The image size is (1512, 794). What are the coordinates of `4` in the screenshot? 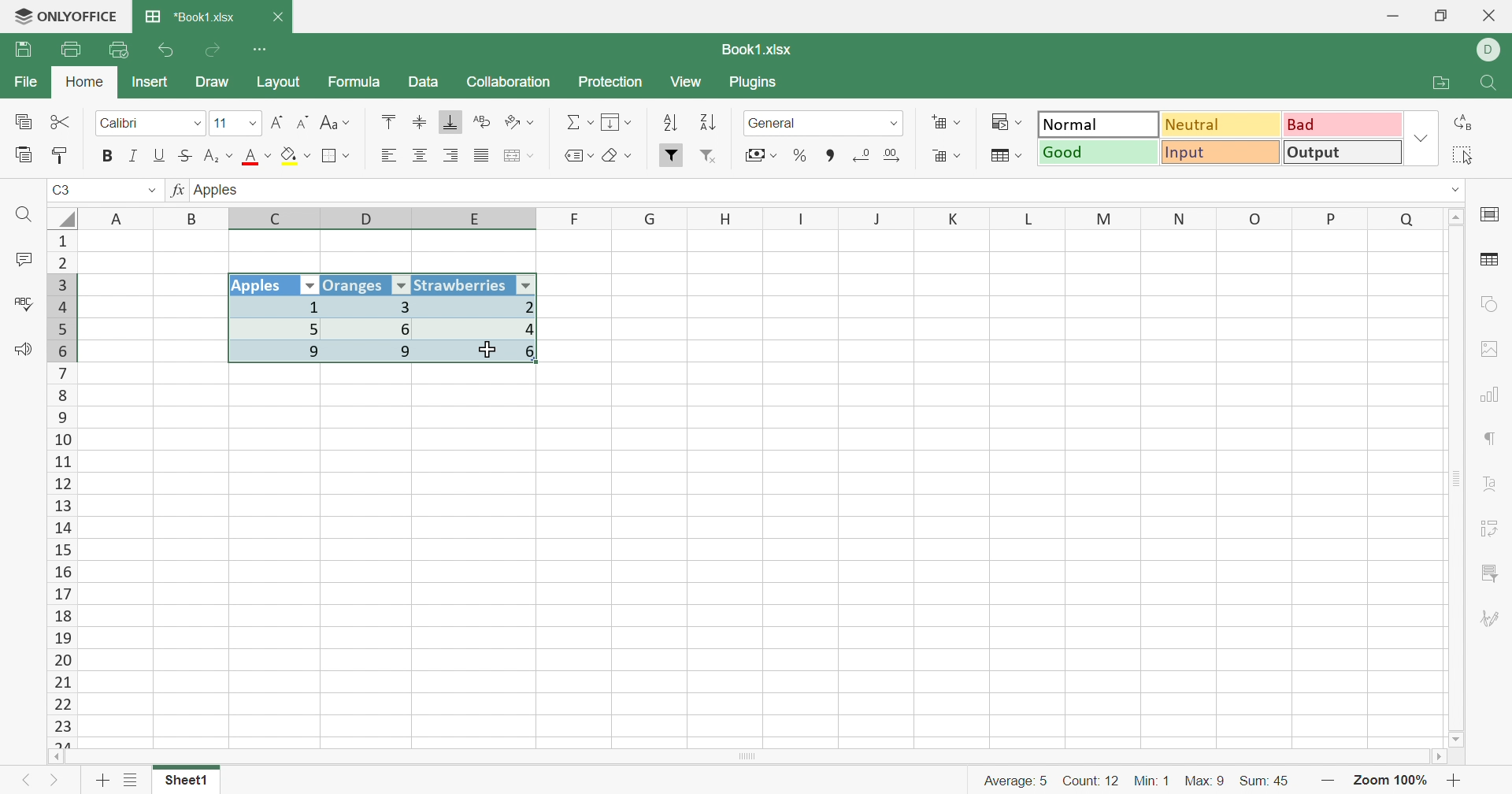 It's located at (483, 329).